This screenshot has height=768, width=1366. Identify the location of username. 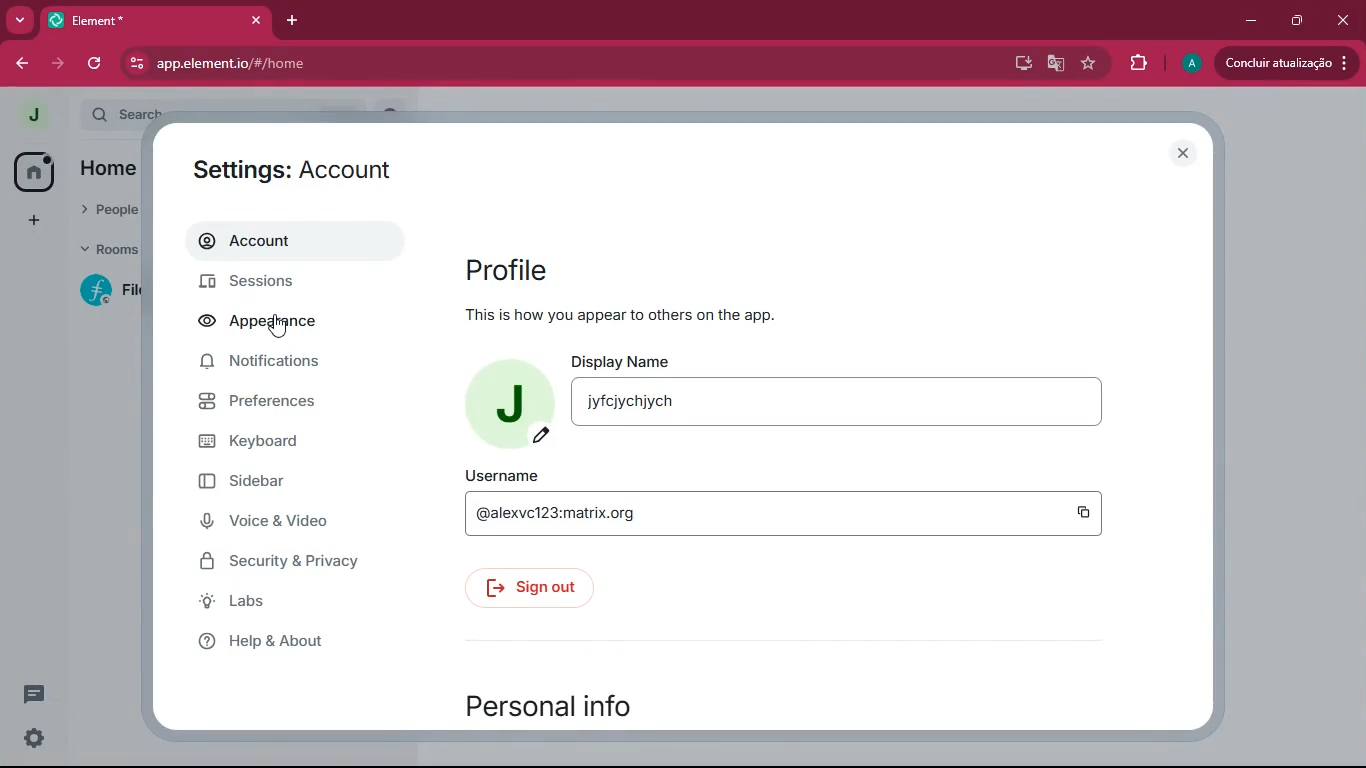
(803, 517).